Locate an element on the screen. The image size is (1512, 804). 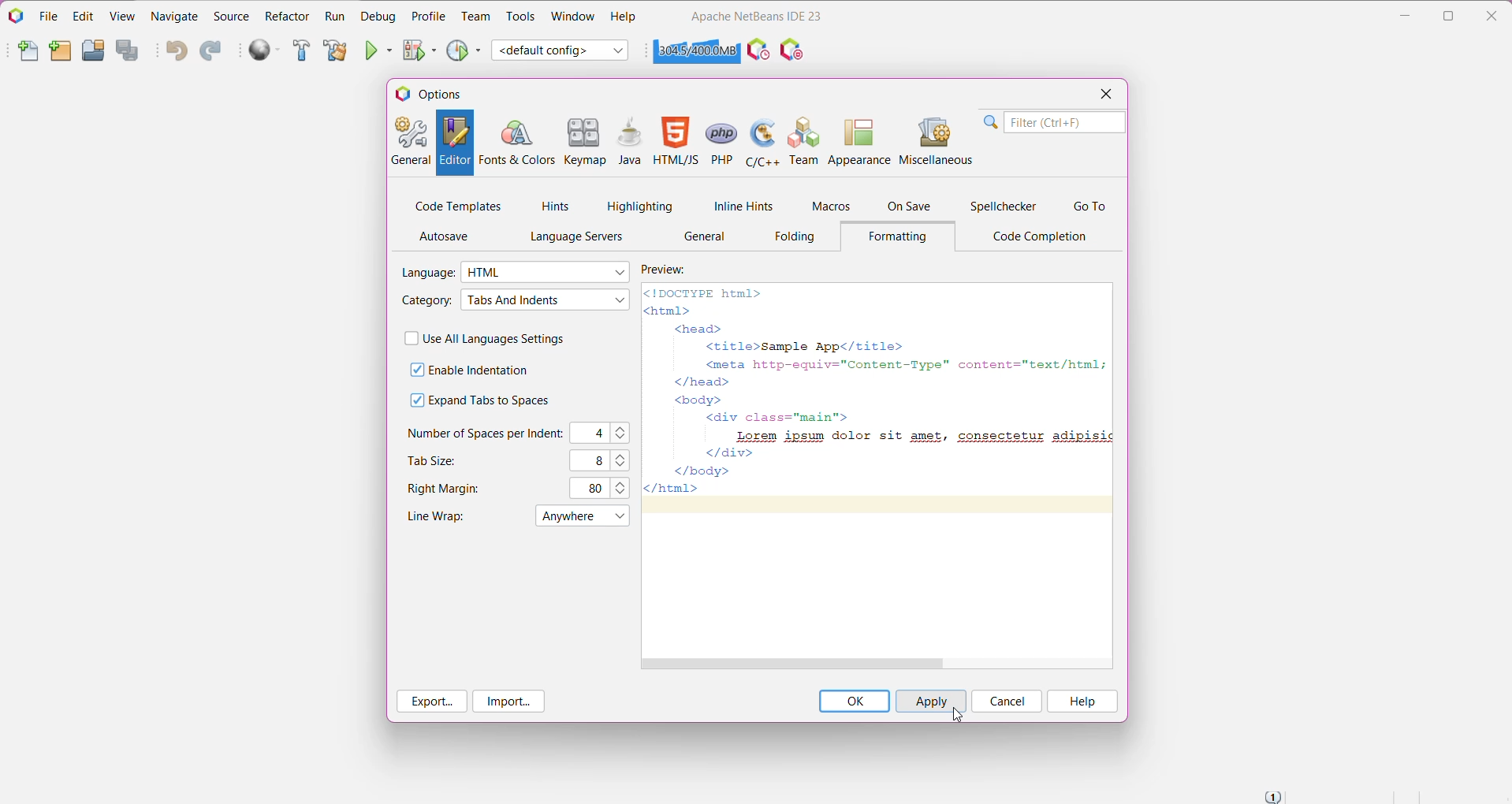
Export is located at coordinates (433, 702).